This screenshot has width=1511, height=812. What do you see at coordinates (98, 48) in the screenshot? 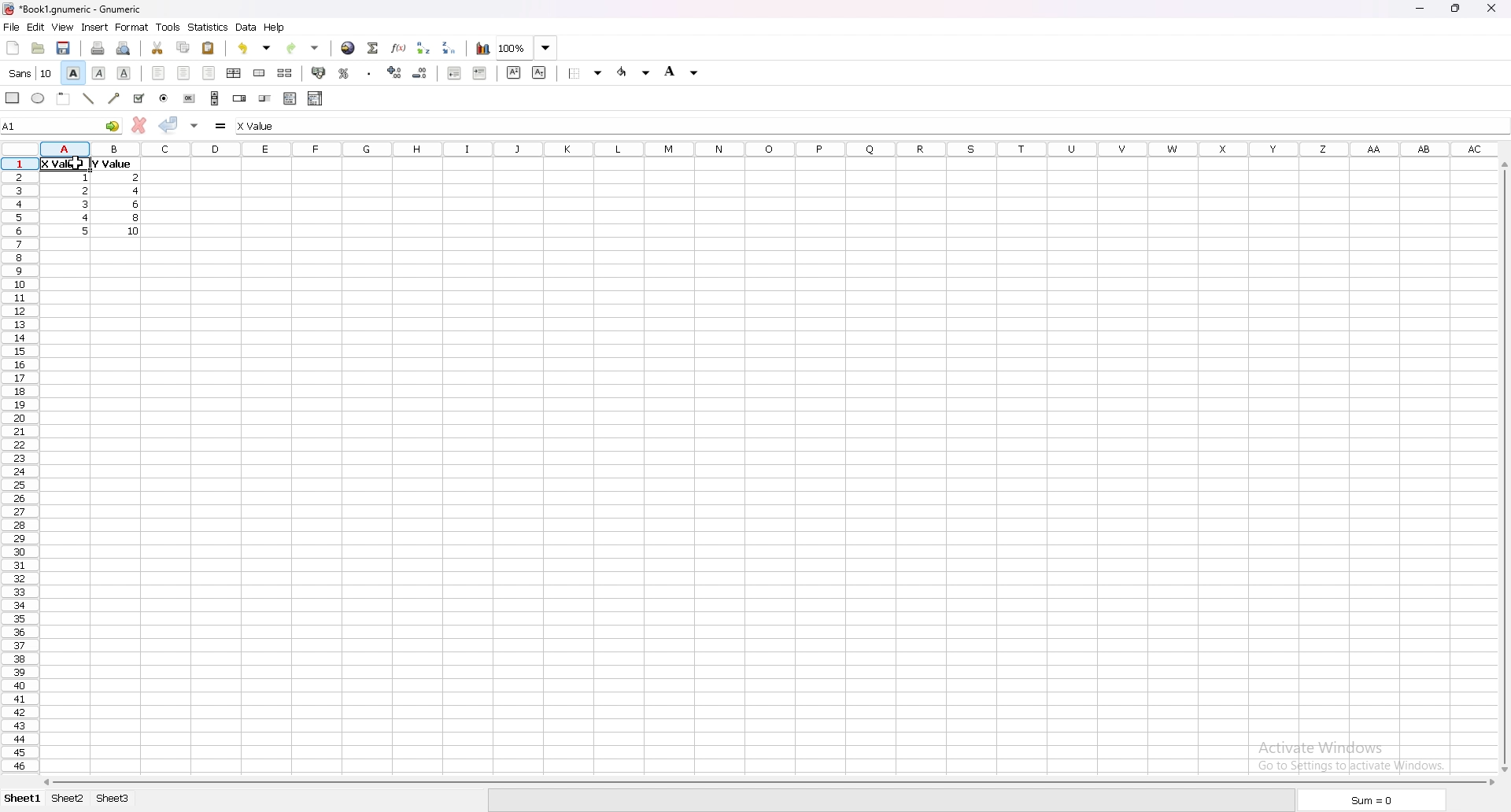
I see `print` at bounding box center [98, 48].